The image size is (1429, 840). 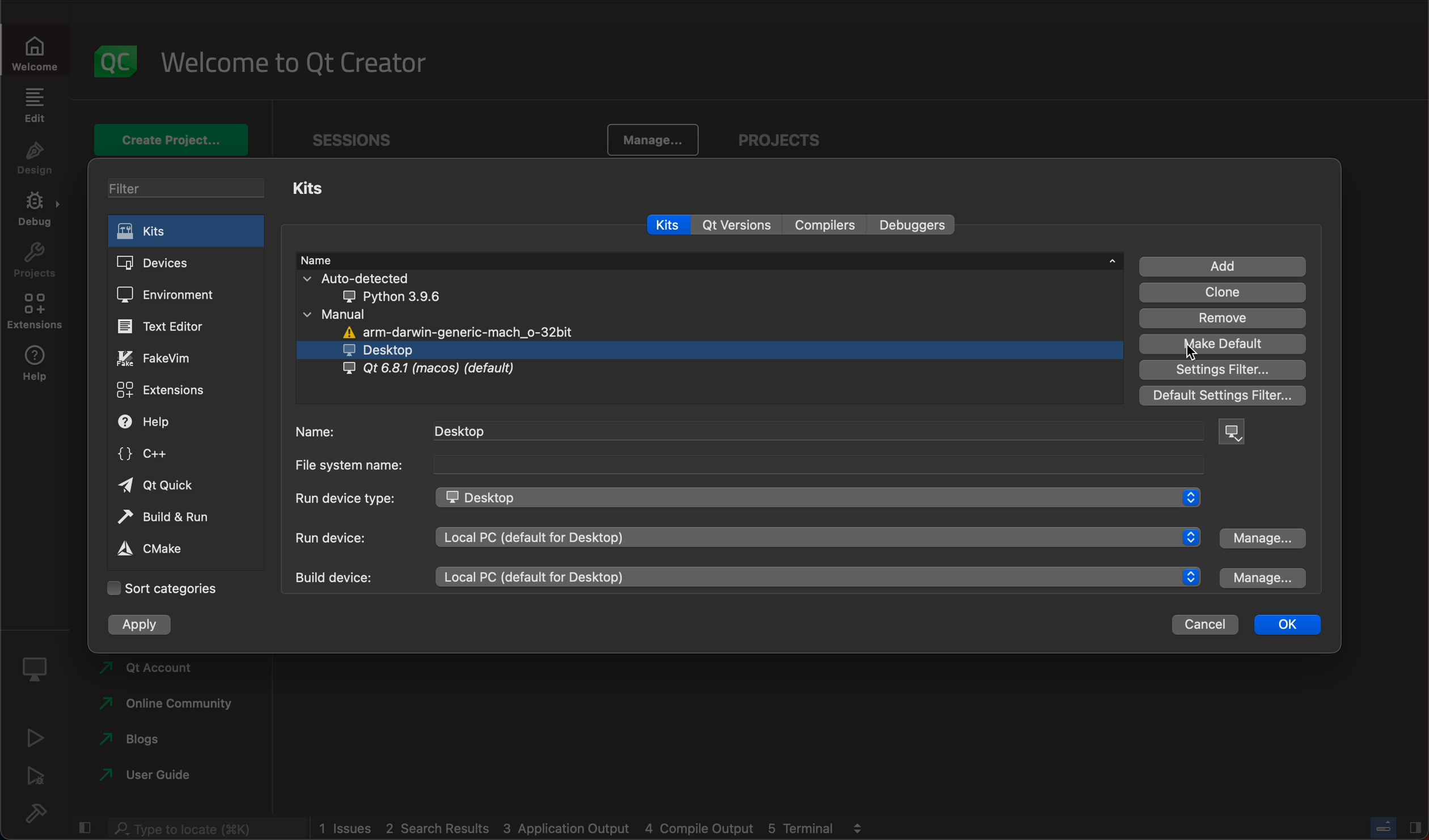 I want to click on name, so click(x=707, y=260).